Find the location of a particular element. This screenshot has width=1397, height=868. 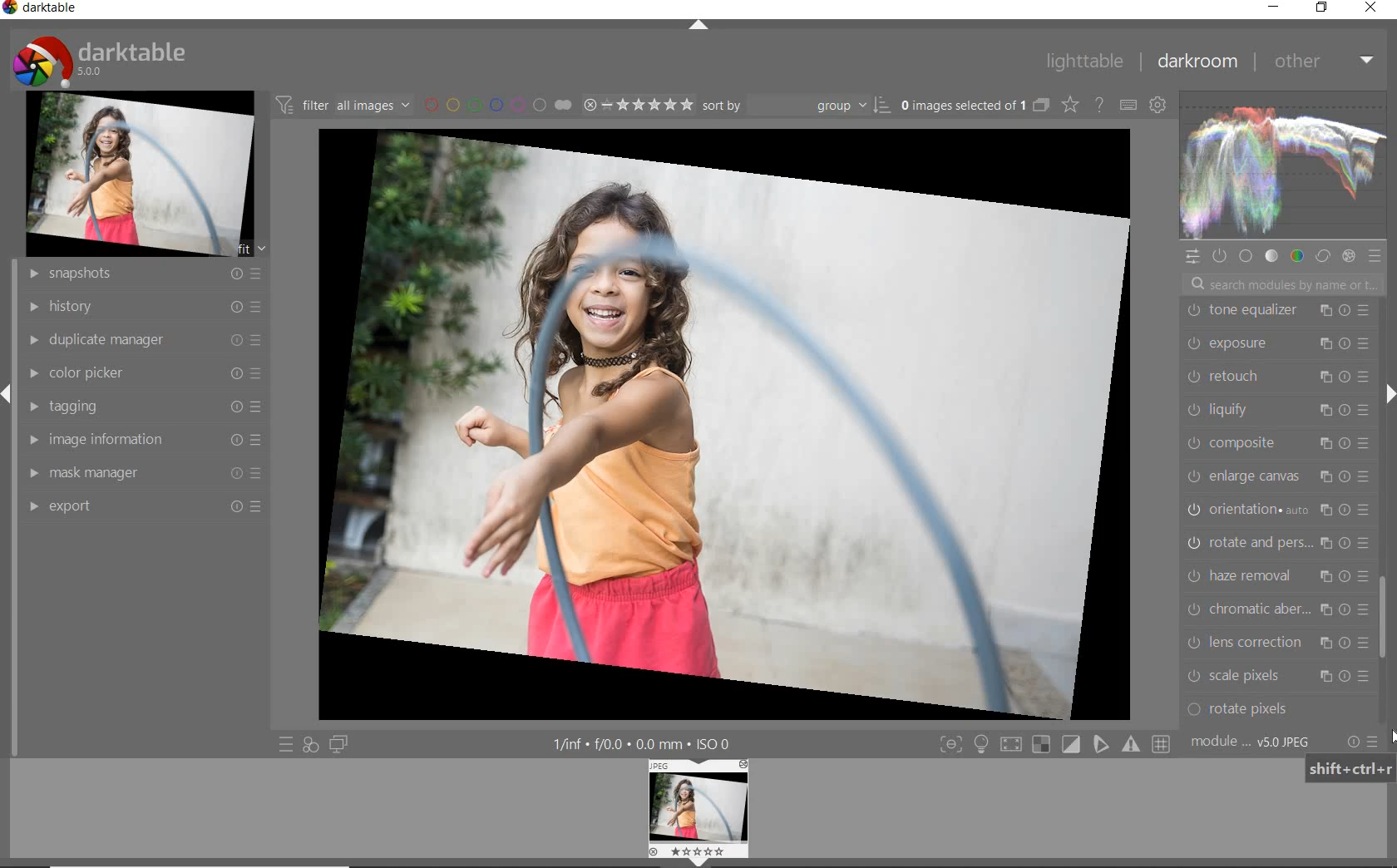

scrollbar is located at coordinates (1382, 616).